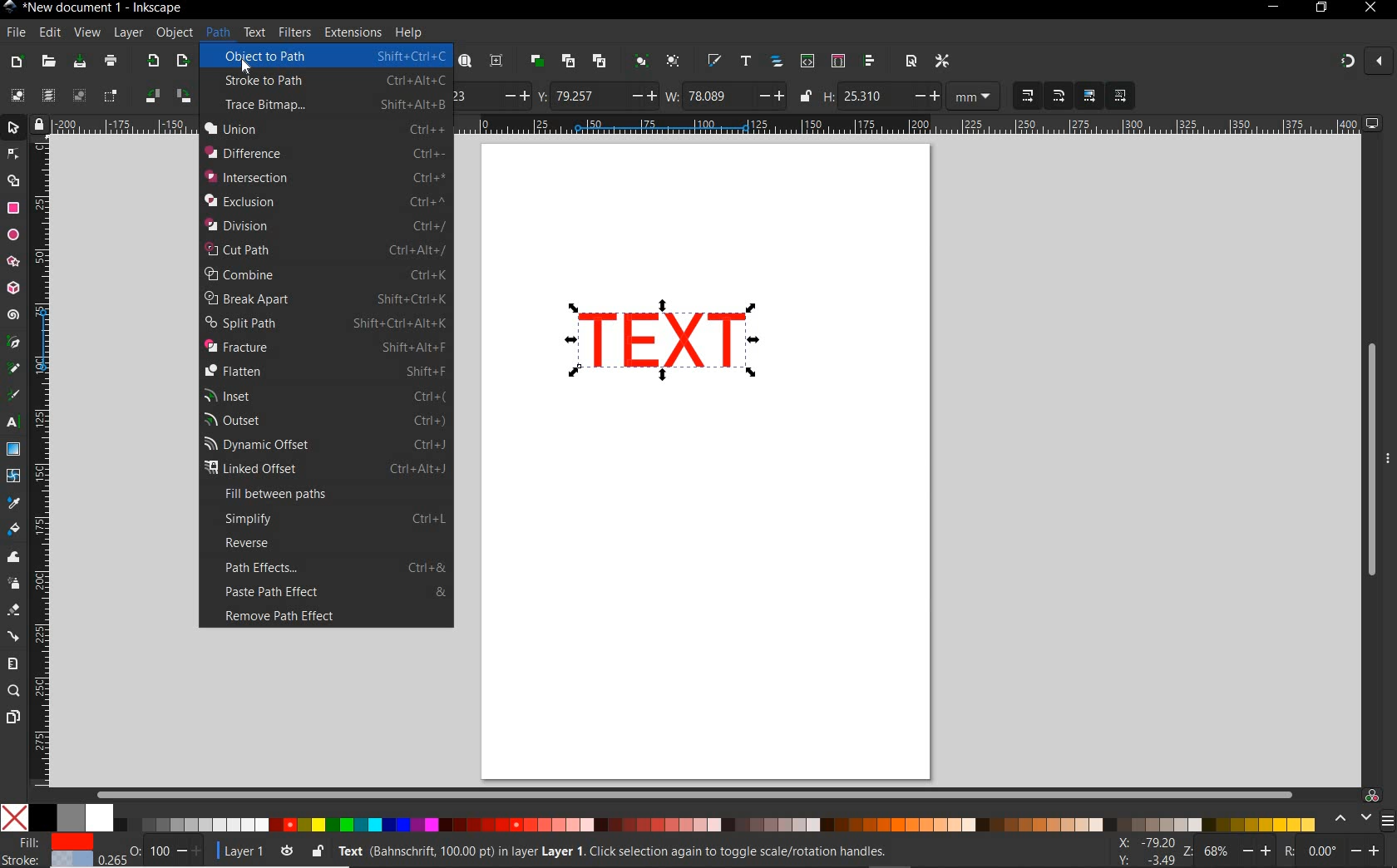 Image resolution: width=1397 pixels, height=868 pixels. I want to click on LOCK OR UNLOCK CURRENT LAYER, so click(317, 853).